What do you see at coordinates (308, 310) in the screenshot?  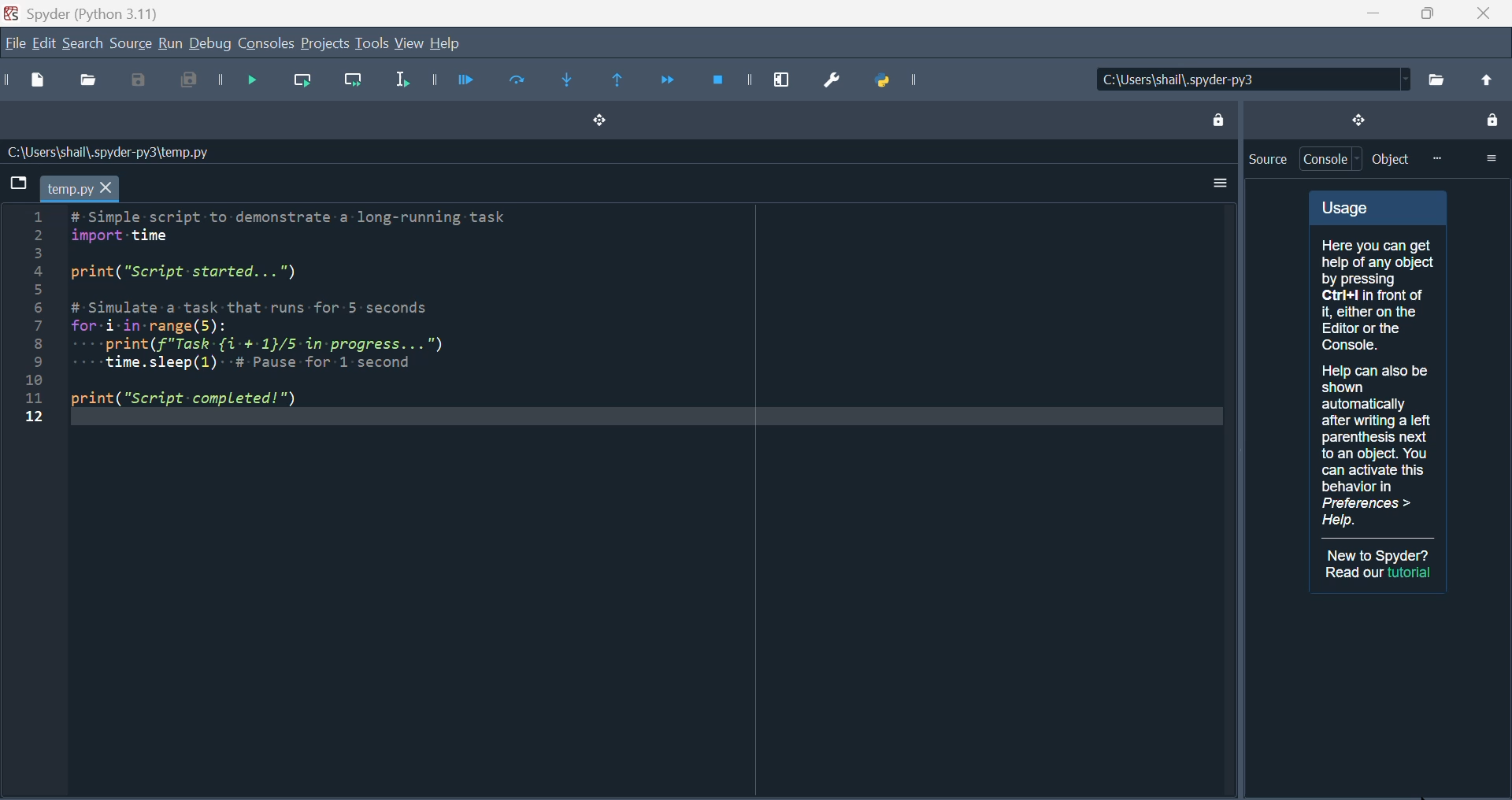 I see `Python code` at bounding box center [308, 310].